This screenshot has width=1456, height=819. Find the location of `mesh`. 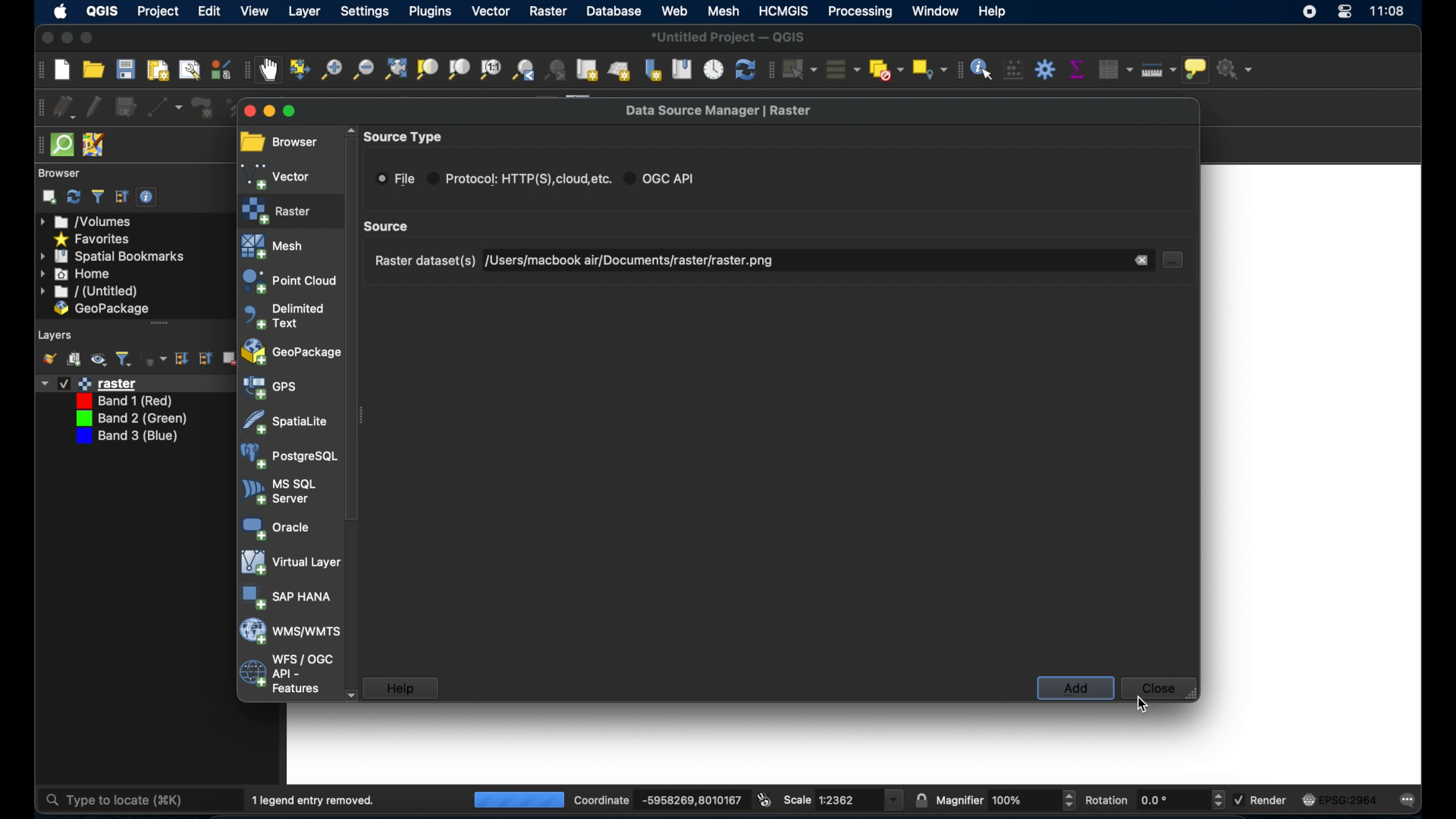

mesh is located at coordinates (722, 12).